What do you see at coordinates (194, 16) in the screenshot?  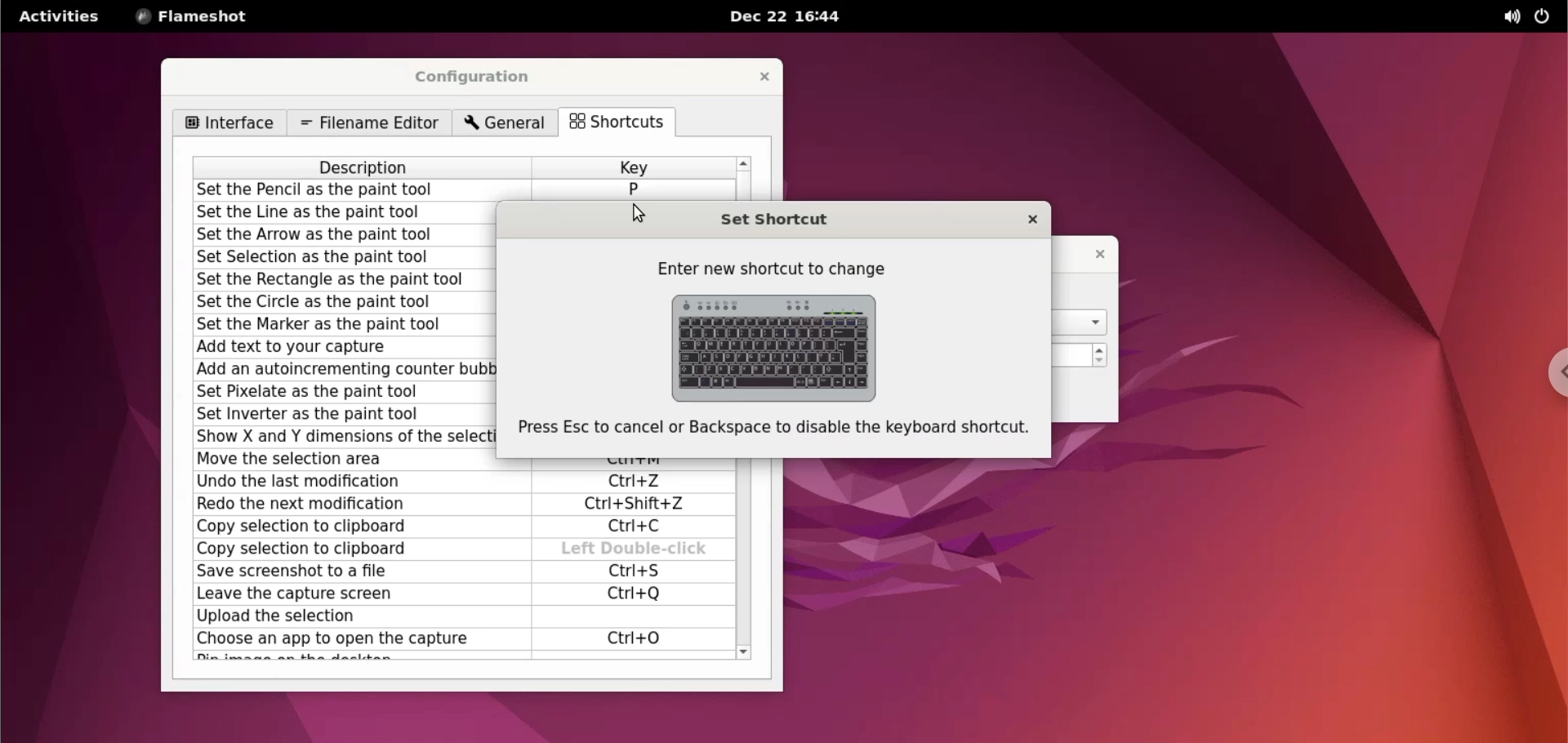 I see `flameshot options` at bounding box center [194, 16].